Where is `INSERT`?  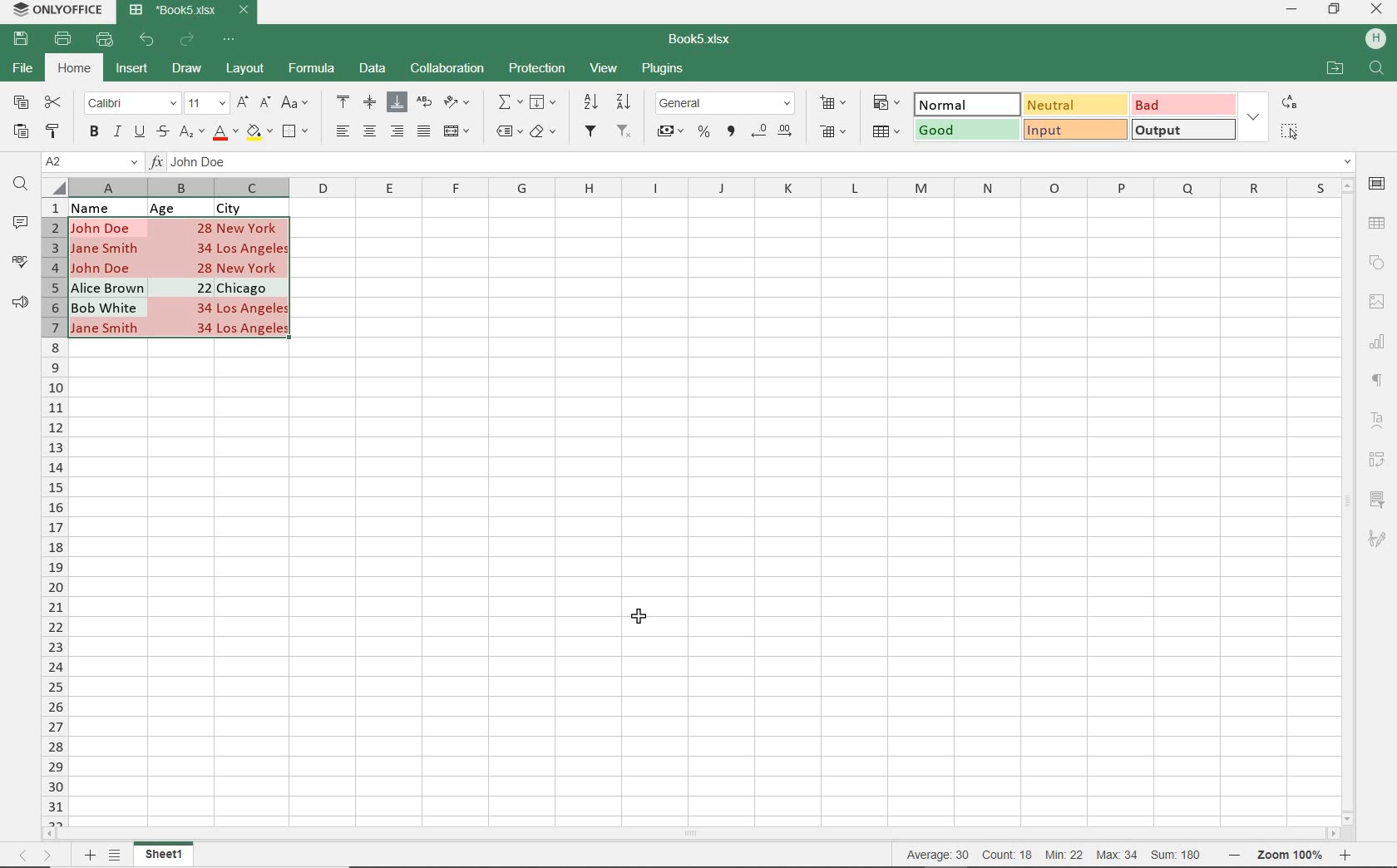
INSERT is located at coordinates (132, 71).